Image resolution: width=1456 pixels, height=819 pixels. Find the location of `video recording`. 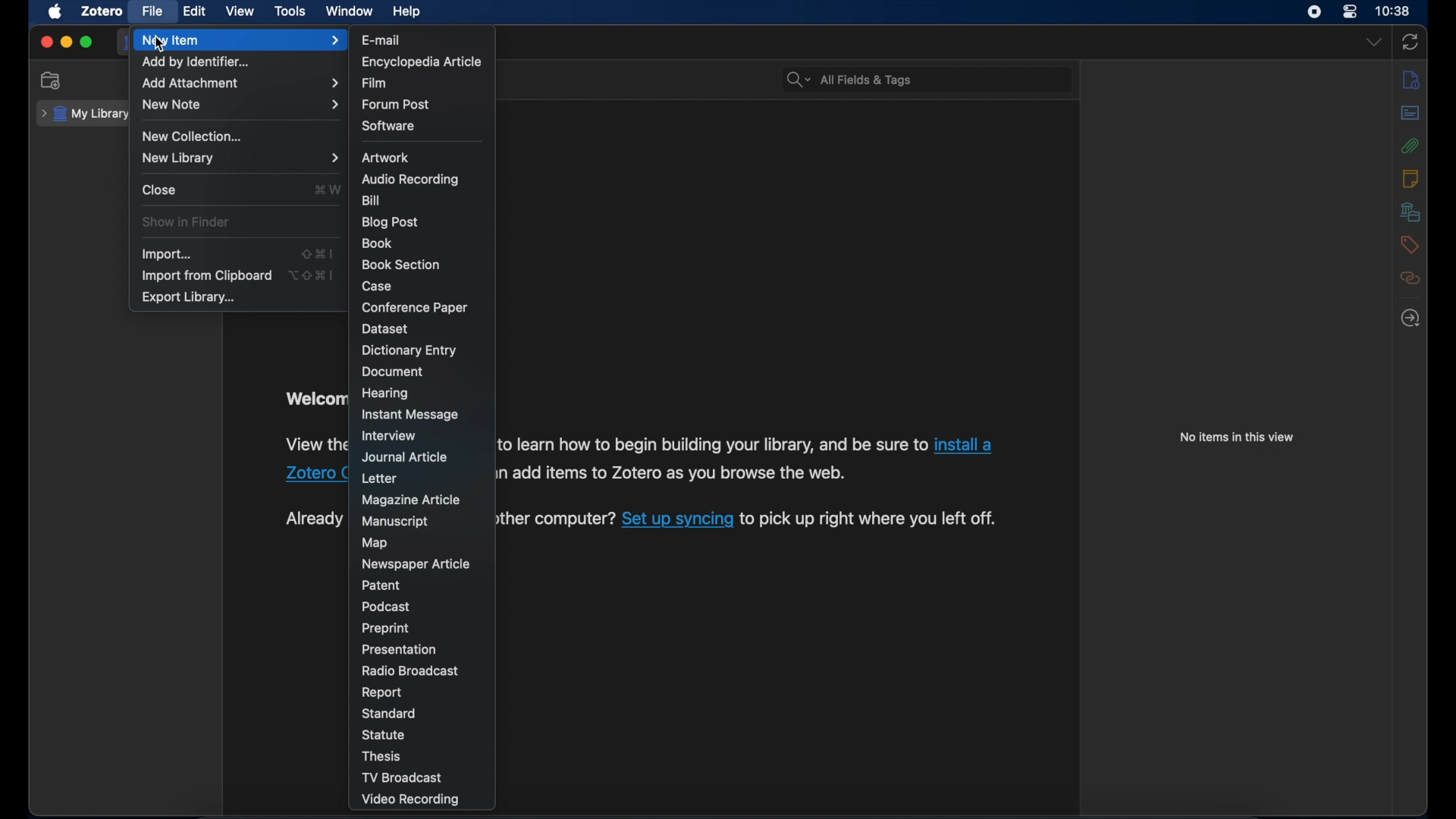

video recording is located at coordinates (414, 800).